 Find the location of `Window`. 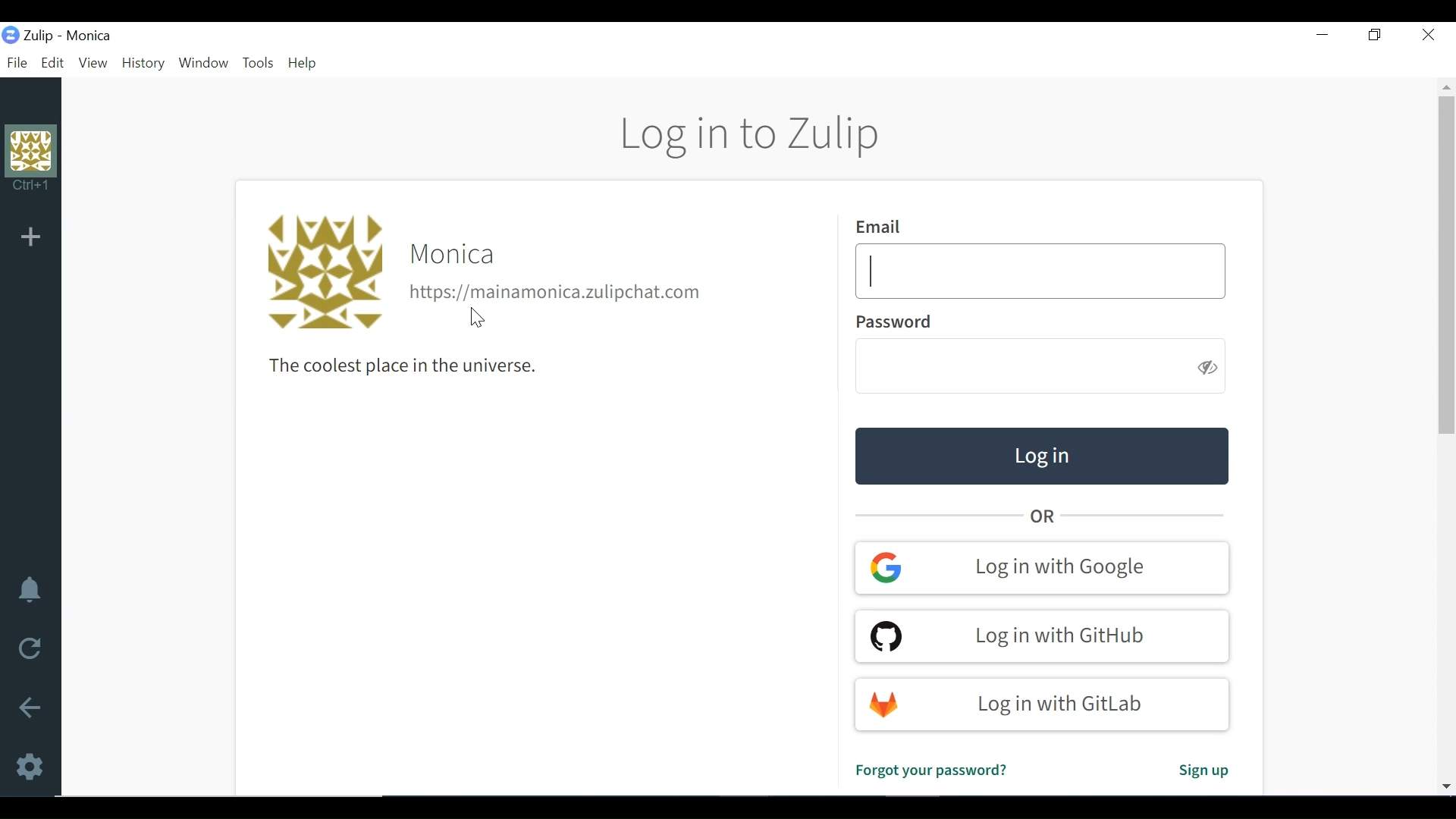

Window is located at coordinates (206, 64).